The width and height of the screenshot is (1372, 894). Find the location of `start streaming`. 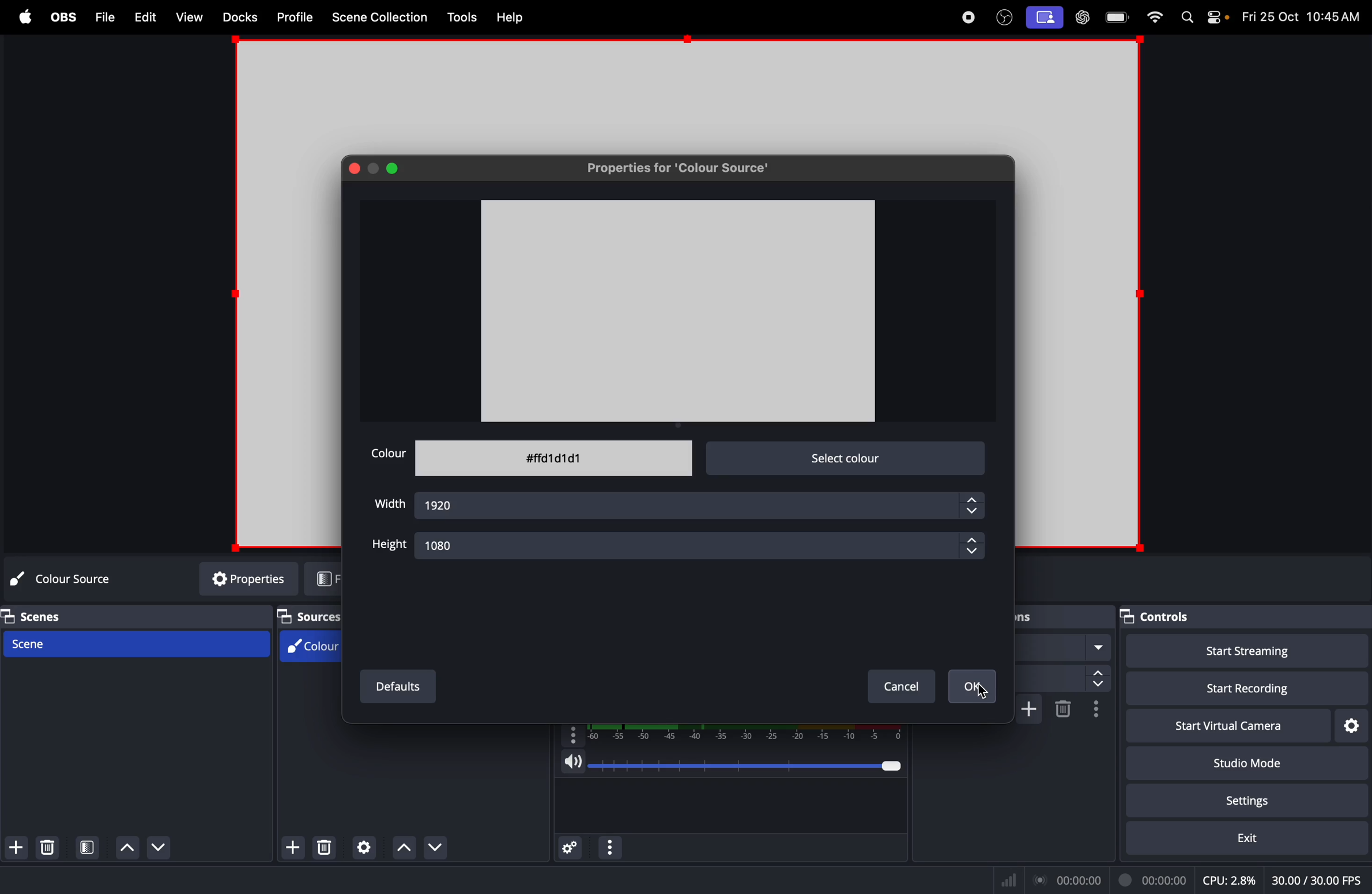

start streaming is located at coordinates (1241, 652).